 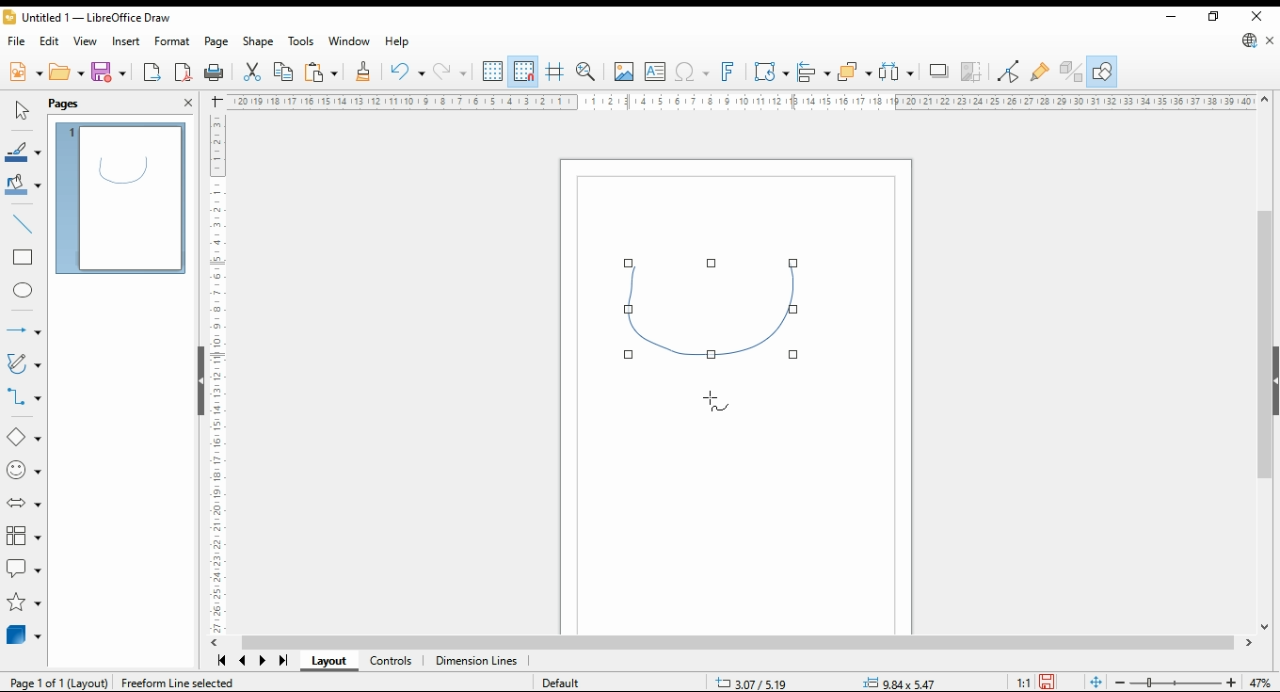 I want to click on new, so click(x=25, y=73).